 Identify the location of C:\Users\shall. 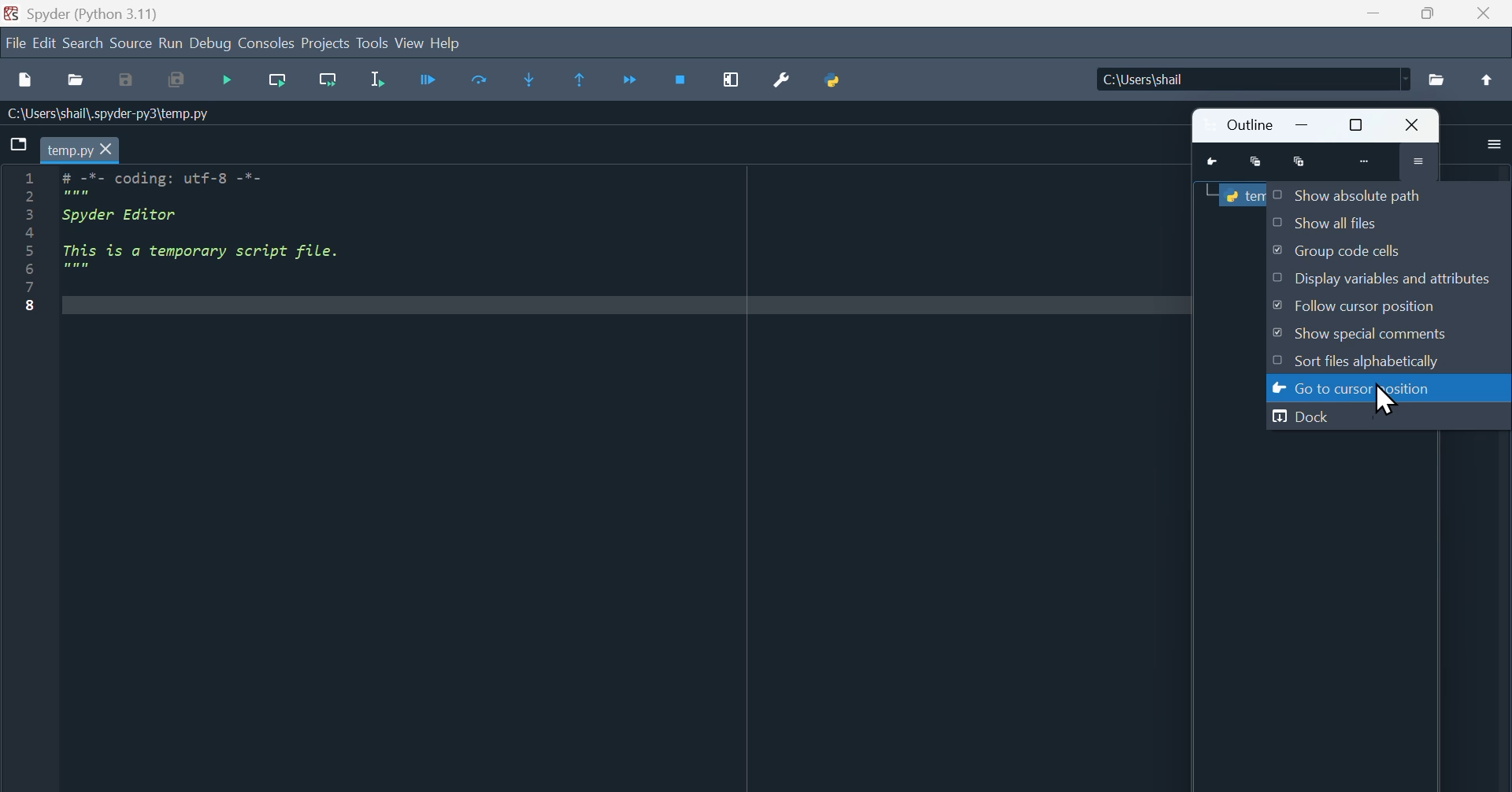
(1251, 79).